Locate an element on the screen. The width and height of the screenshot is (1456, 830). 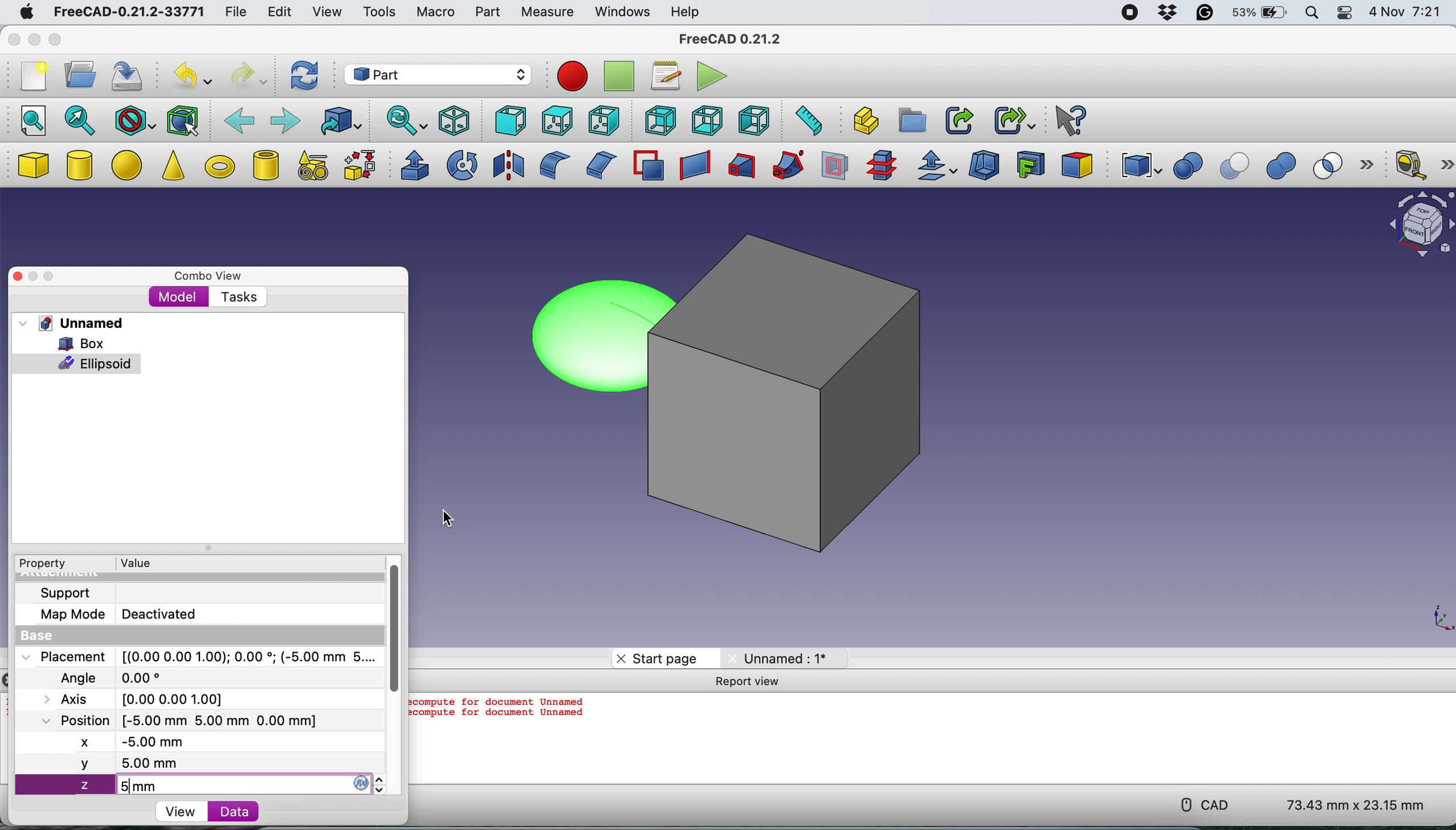
new is located at coordinates (31, 79).